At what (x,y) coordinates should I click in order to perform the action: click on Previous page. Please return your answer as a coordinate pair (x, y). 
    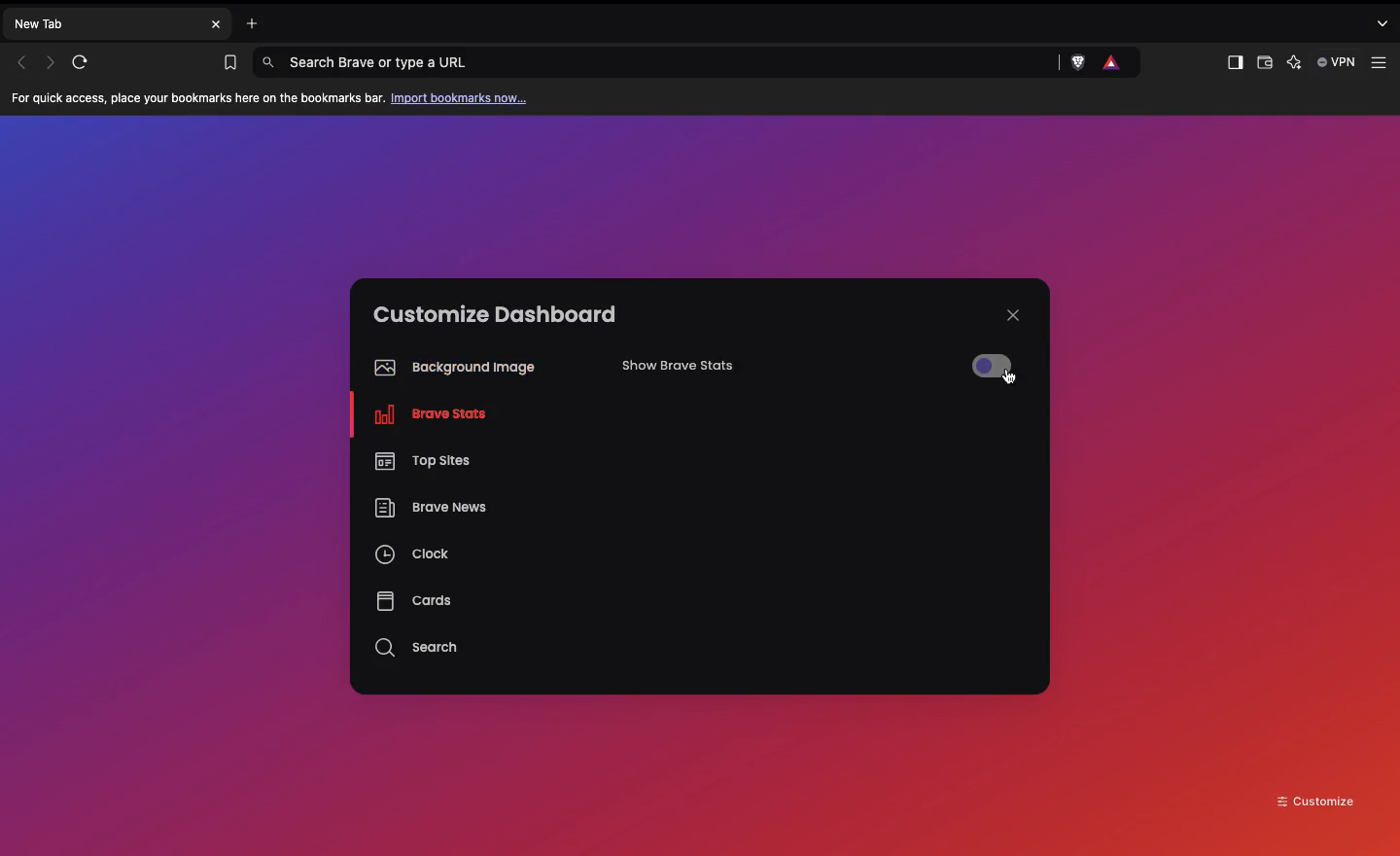
    Looking at the image, I should click on (21, 62).